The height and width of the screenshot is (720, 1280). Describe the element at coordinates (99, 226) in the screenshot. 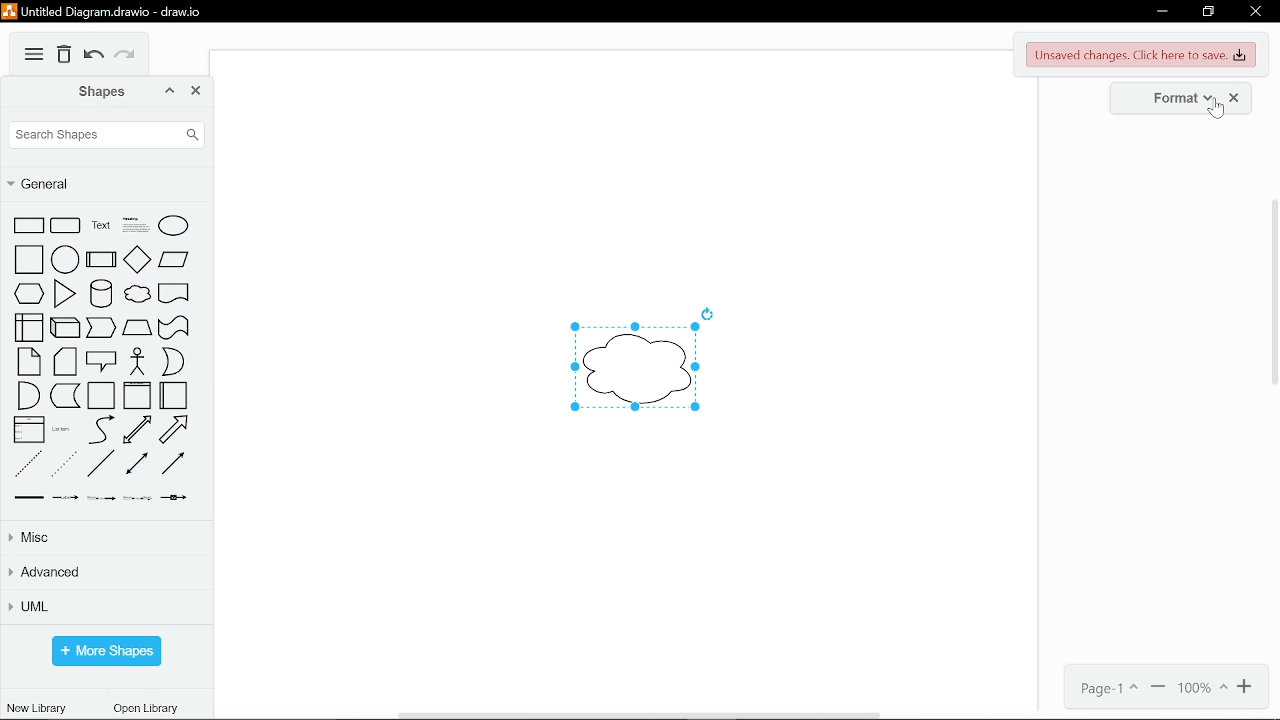

I see `text` at that location.